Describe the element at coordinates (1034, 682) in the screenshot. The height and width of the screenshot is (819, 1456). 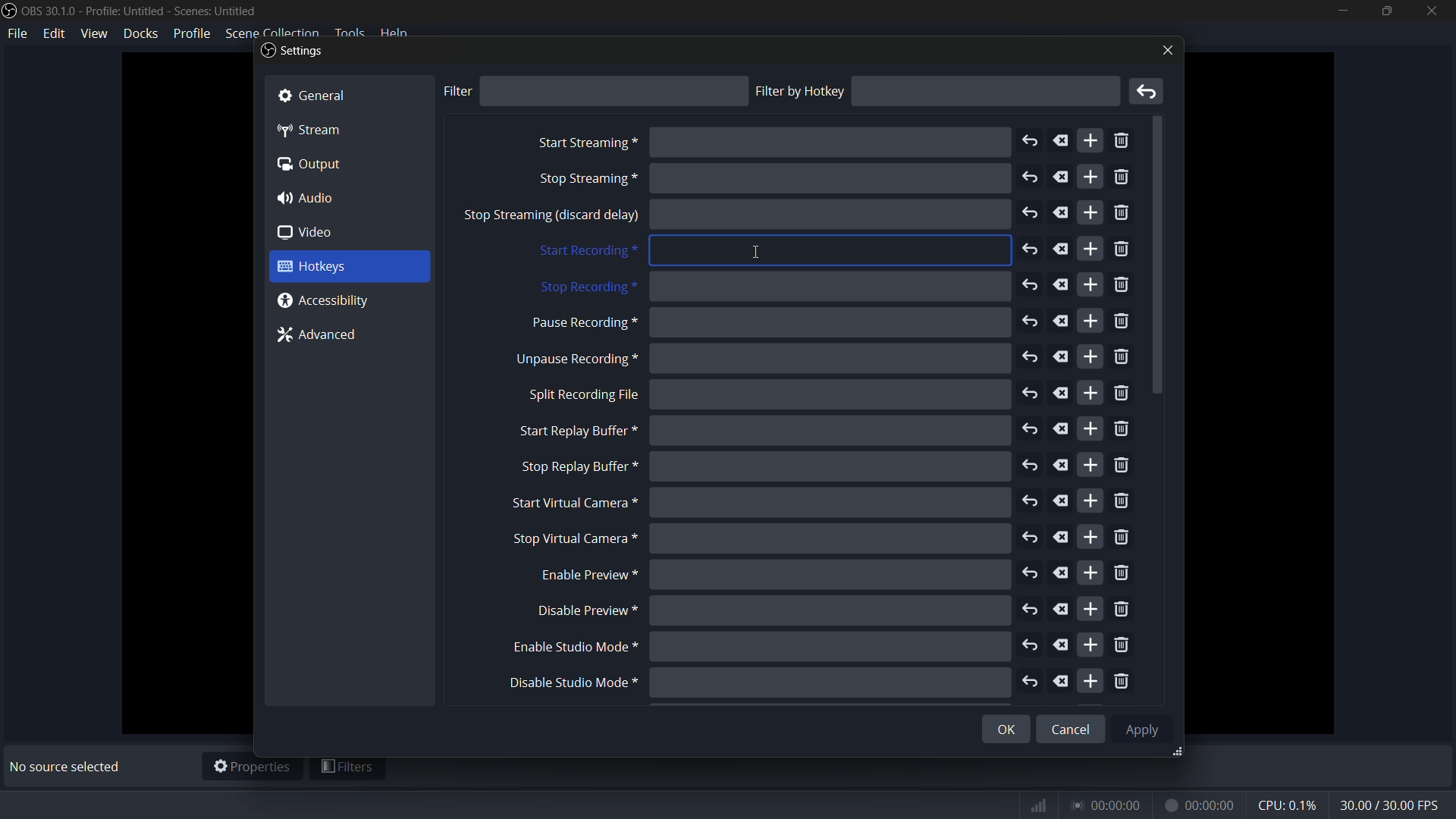
I see `undo` at that location.